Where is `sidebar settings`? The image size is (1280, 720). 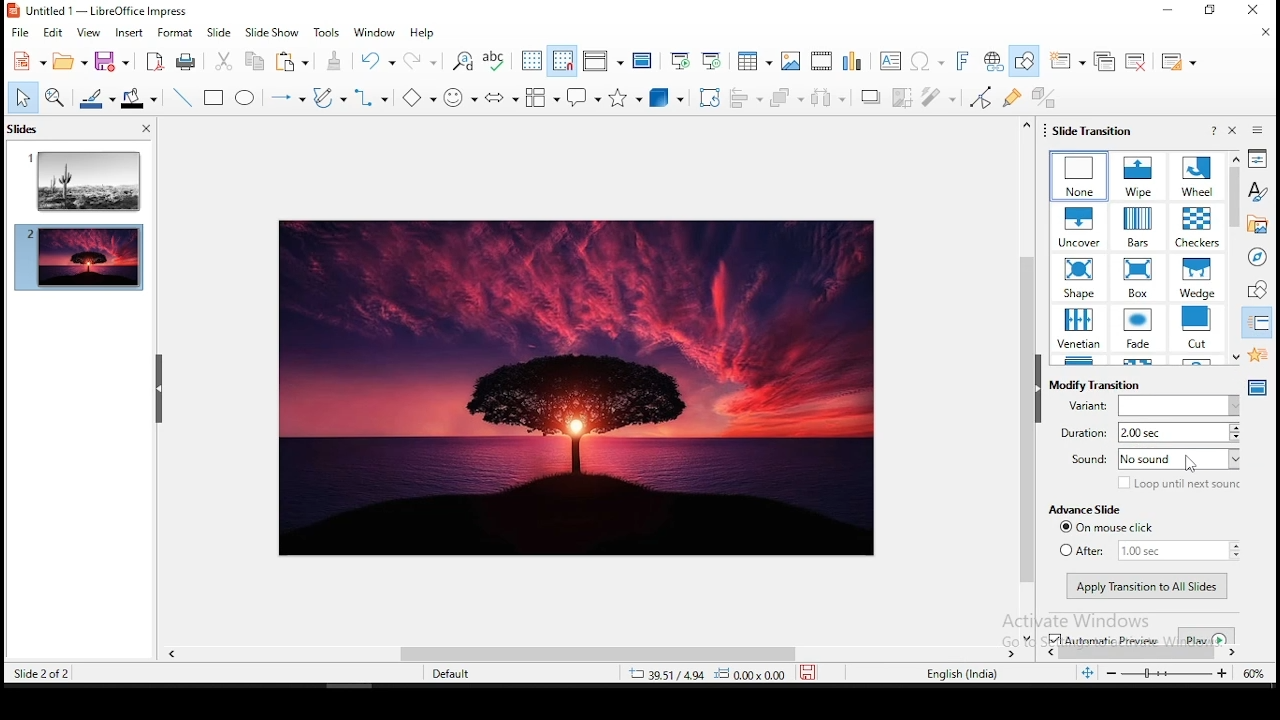 sidebar settings is located at coordinates (1255, 131).